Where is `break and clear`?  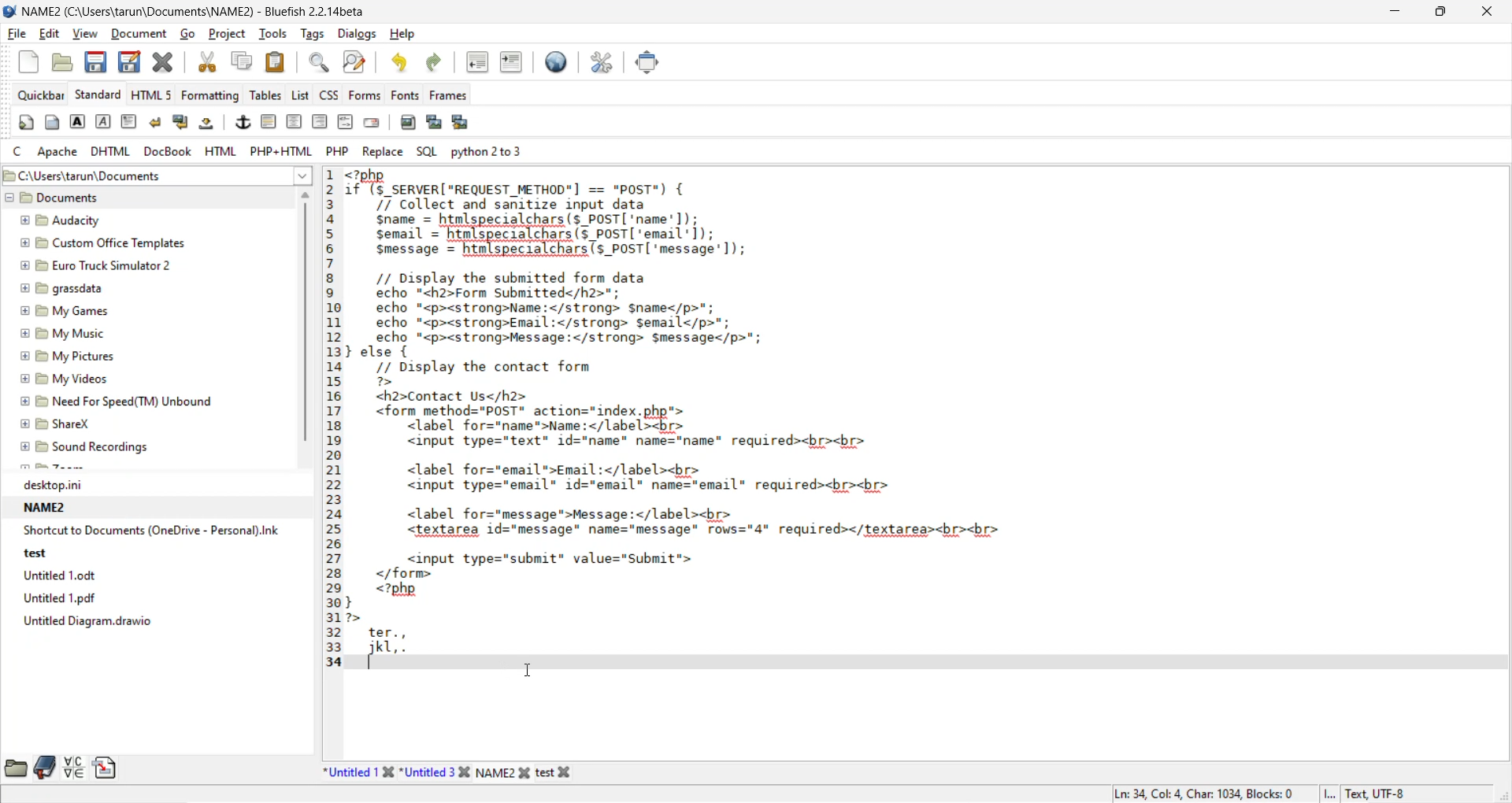
break and clear is located at coordinates (184, 124).